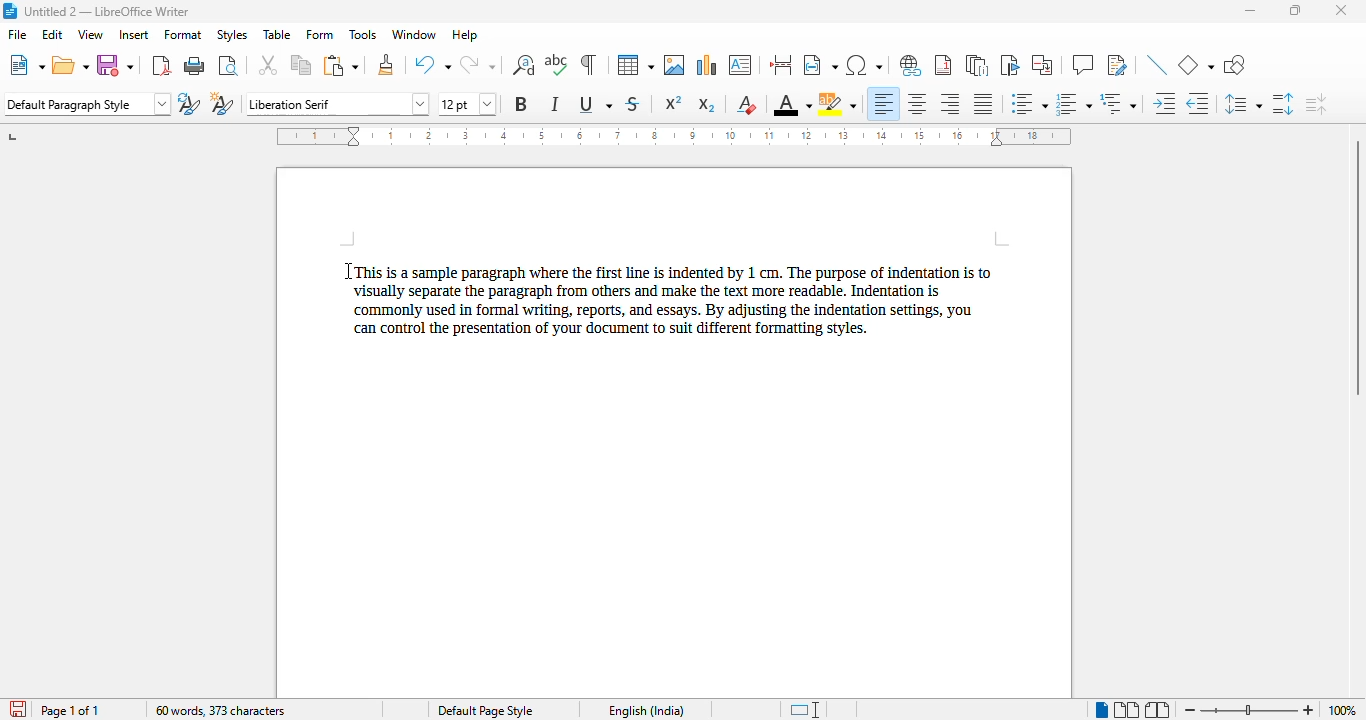  I want to click on save, so click(115, 66).